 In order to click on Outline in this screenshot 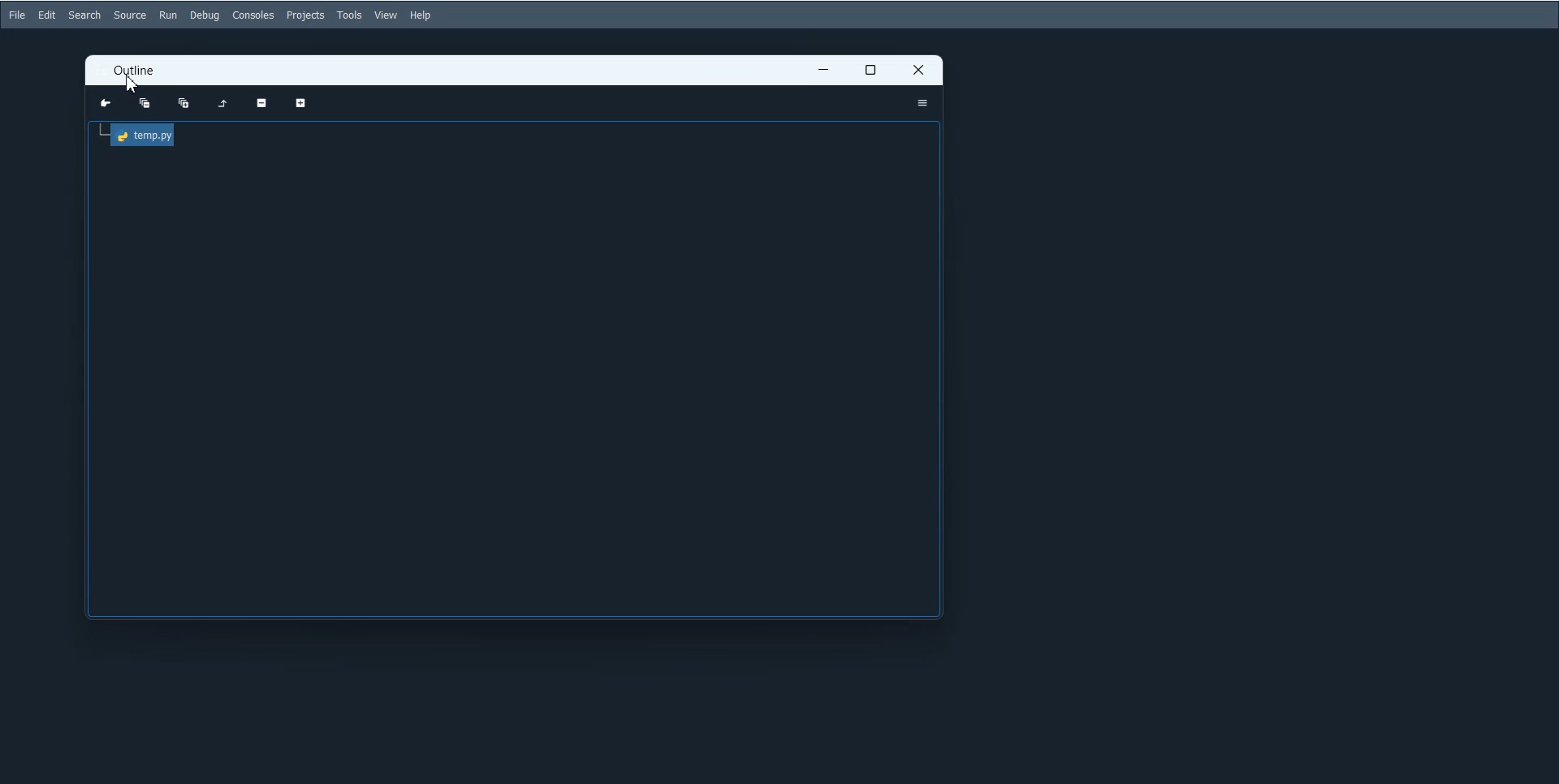, I will do `click(135, 71)`.